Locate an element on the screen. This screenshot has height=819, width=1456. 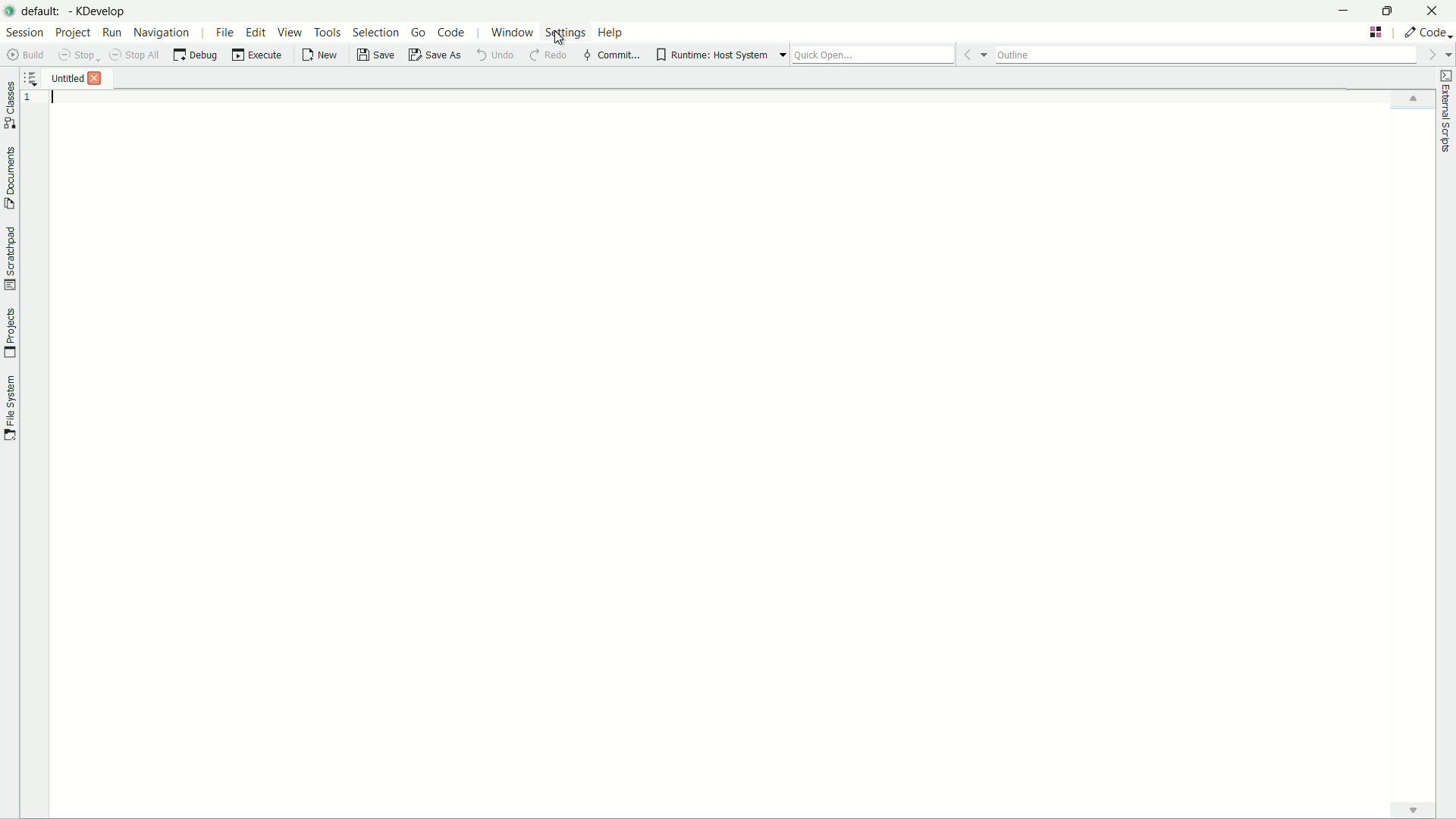
Cursor is located at coordinates (557, 38).